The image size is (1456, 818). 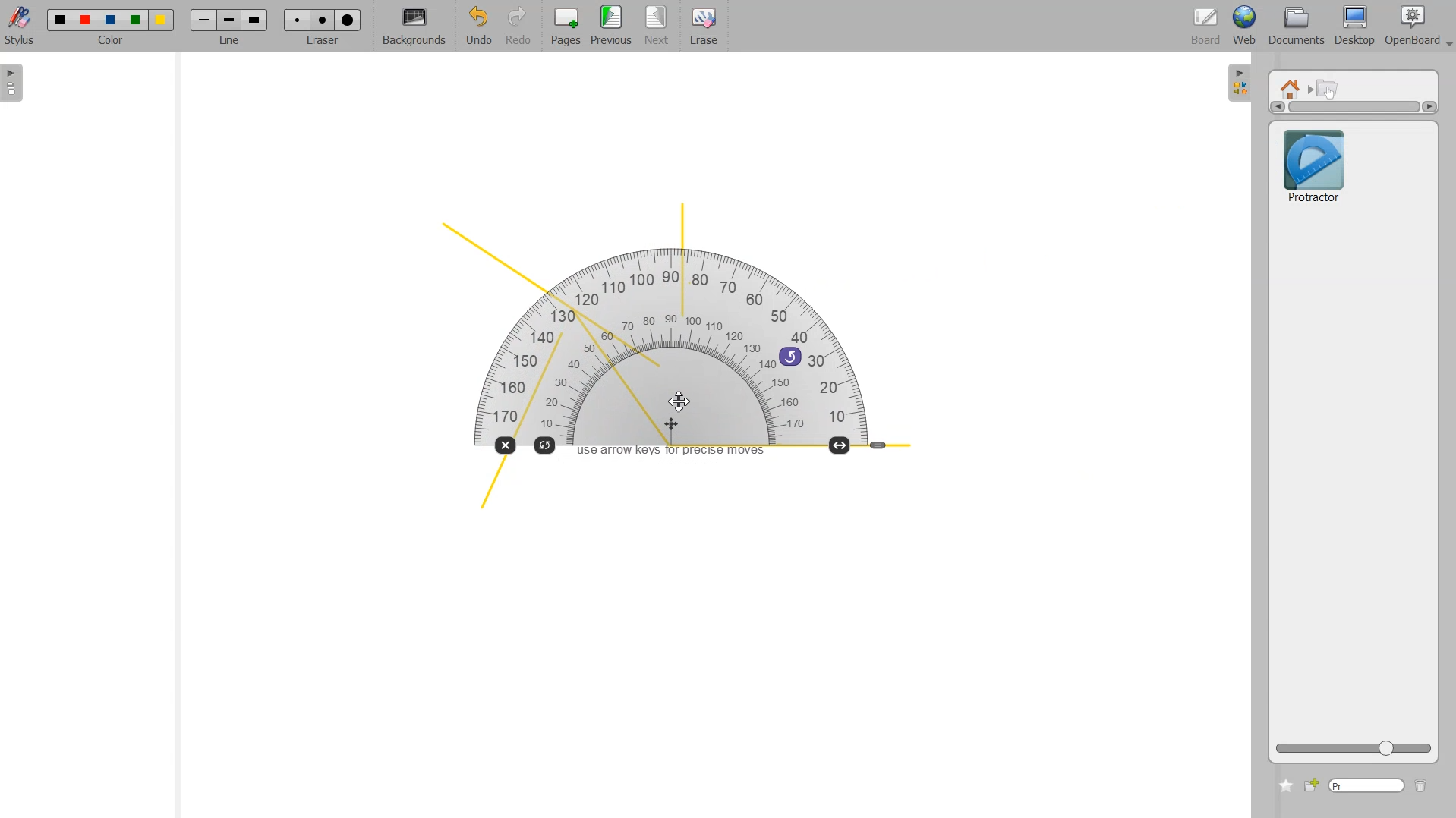 What do you see at coordinates (1310, 785) in the screenshot?
I see `Add new file` at bounding box center [1310, 785].